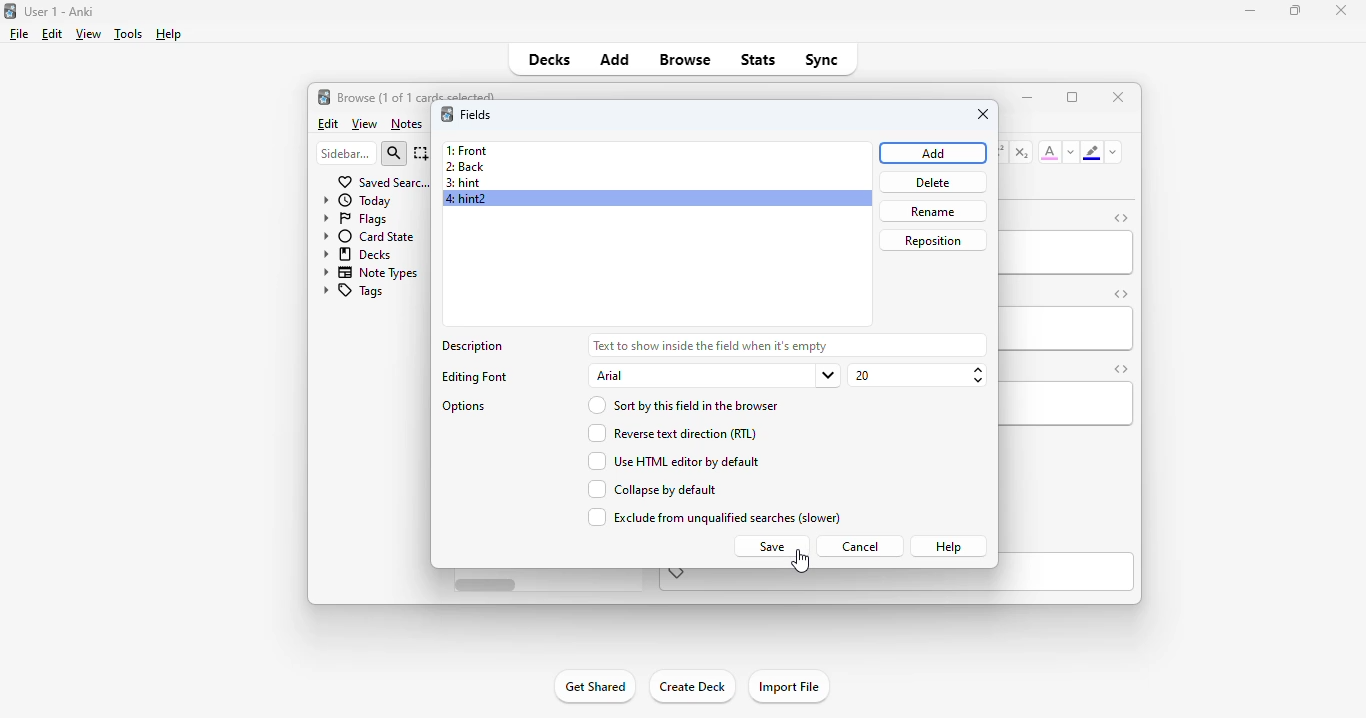 The image size is (1366, 718). What do you see at coordinates (651, 489) in the screenshot?
I see `collapse by default` at bounding box center [651, 489].